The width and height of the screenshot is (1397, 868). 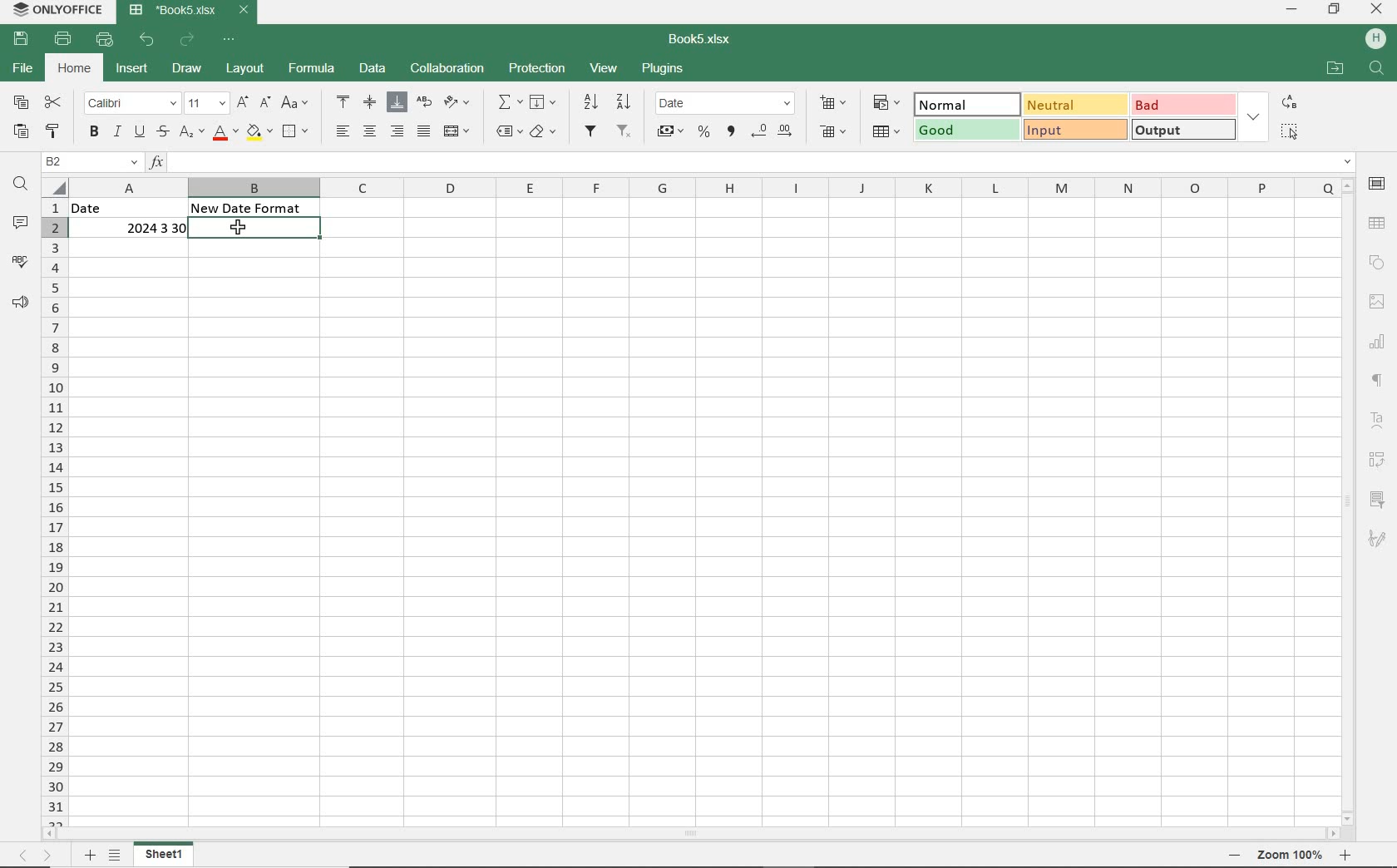 I want to click on PASTE, so click(x=21, y=132).